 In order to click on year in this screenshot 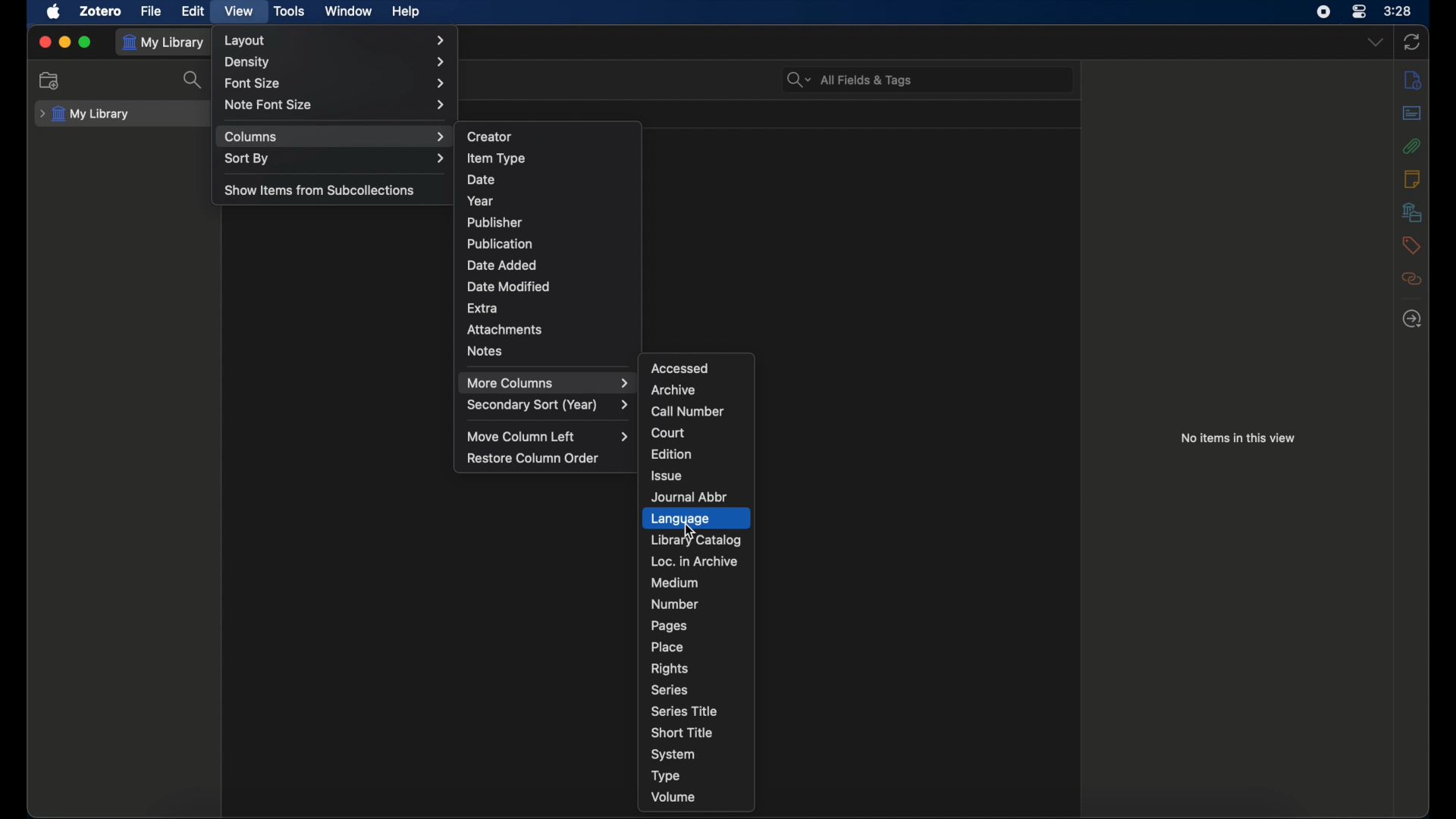, I will do `click(479, 202)`.